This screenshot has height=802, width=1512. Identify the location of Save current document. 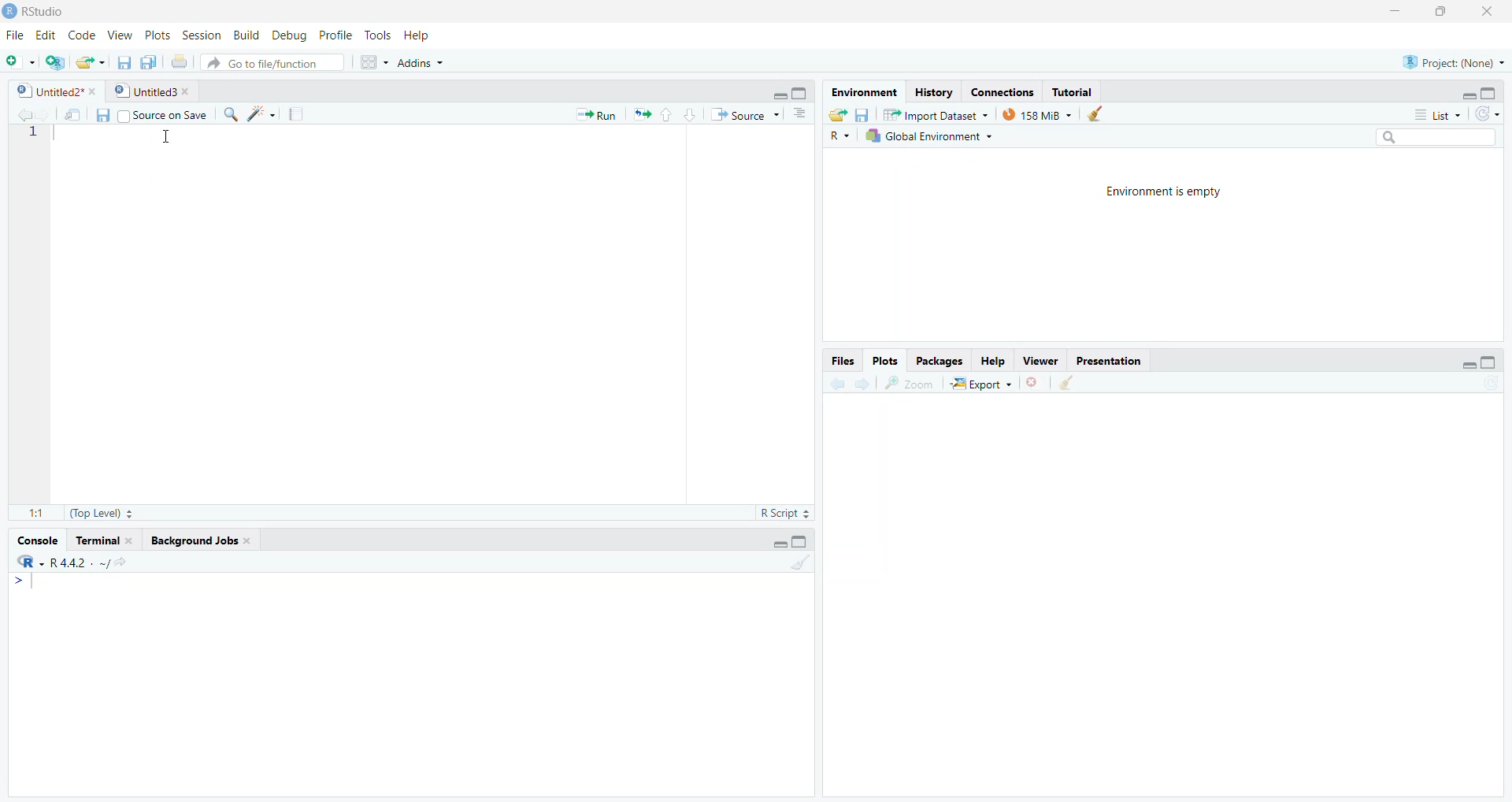
(102, 114).